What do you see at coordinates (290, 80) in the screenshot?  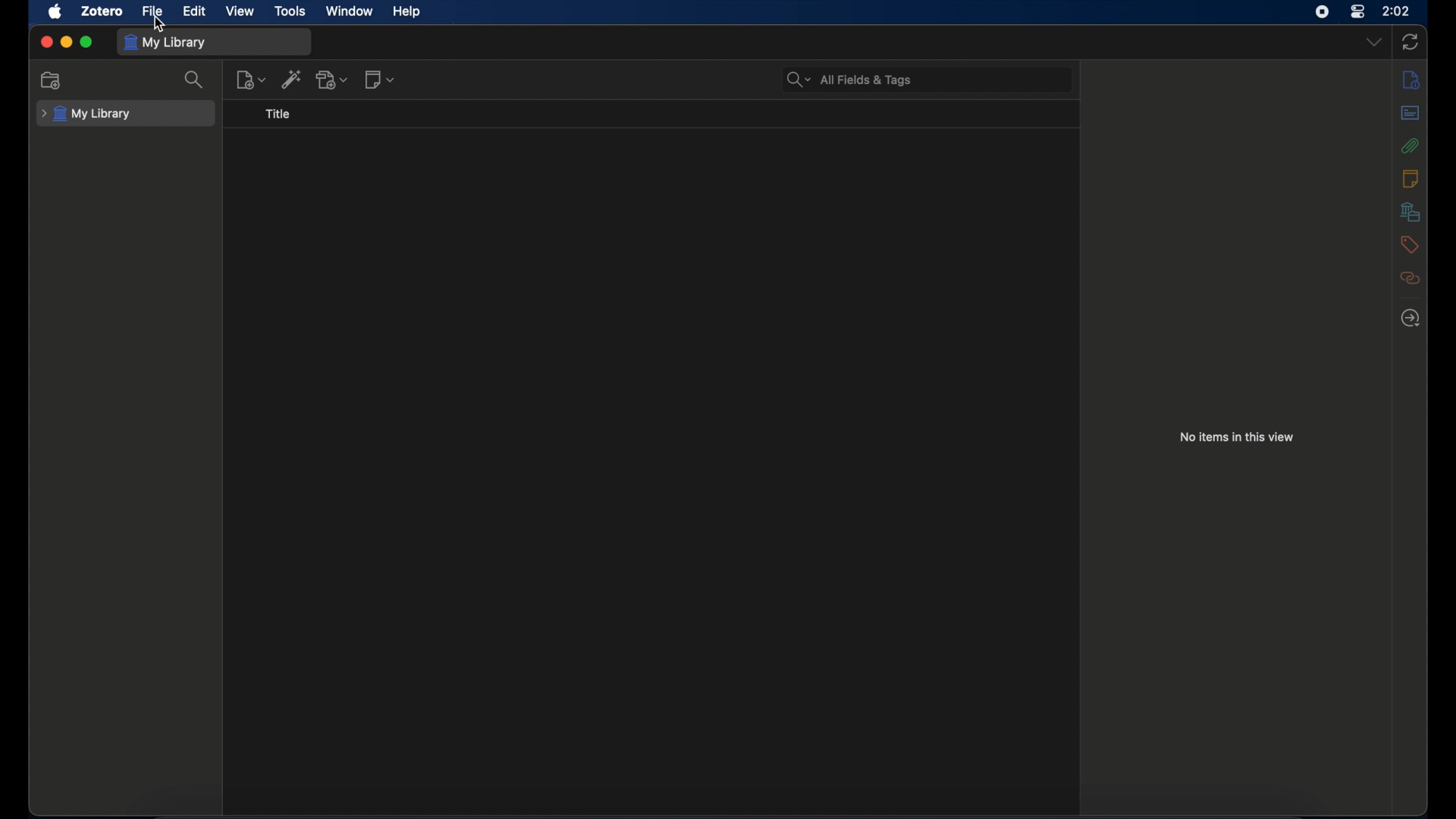 I see `add item by identifier` at bounding box center [290, 80].